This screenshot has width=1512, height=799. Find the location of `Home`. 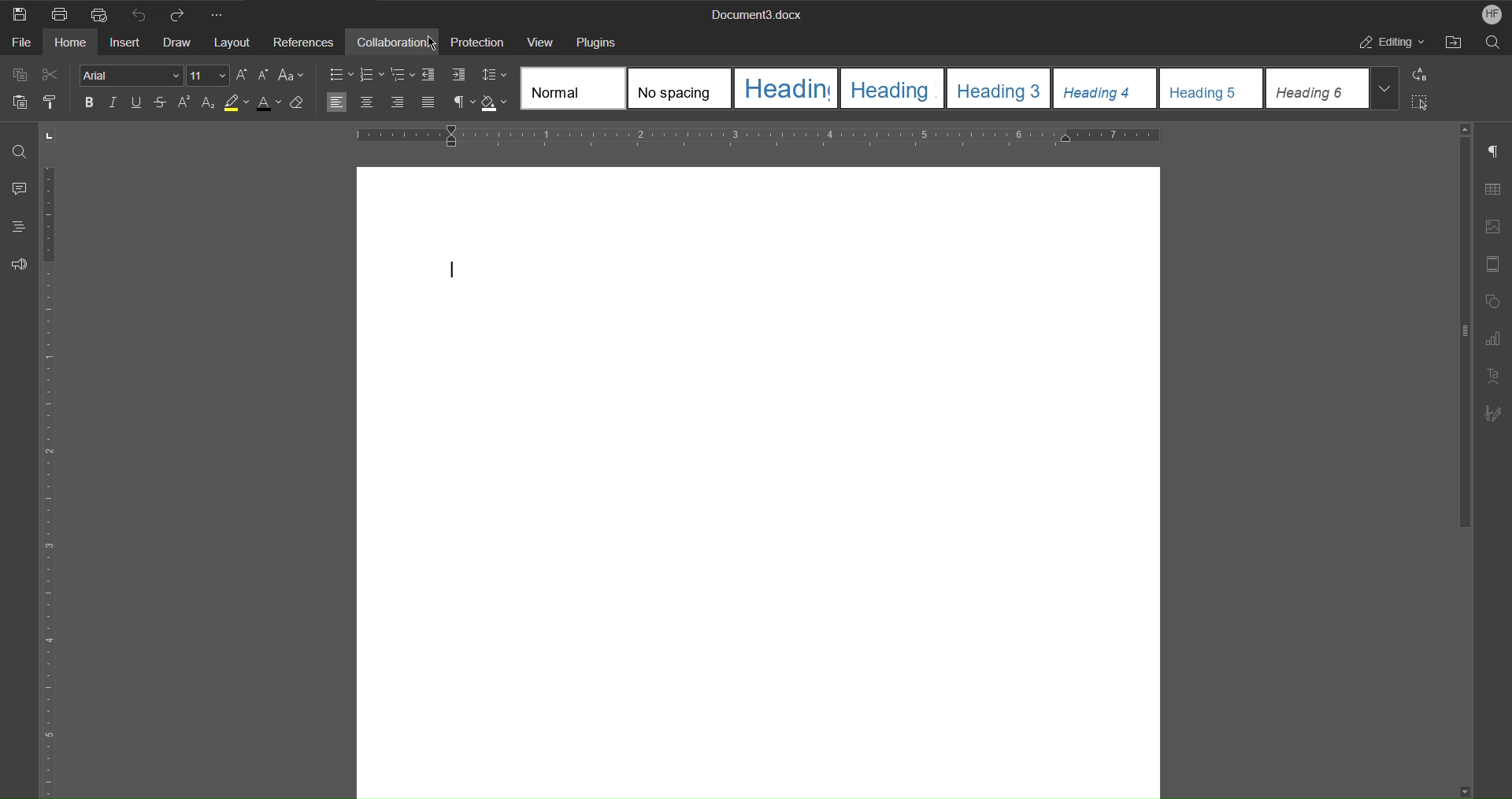

Home is located at coordinates (74, 44).